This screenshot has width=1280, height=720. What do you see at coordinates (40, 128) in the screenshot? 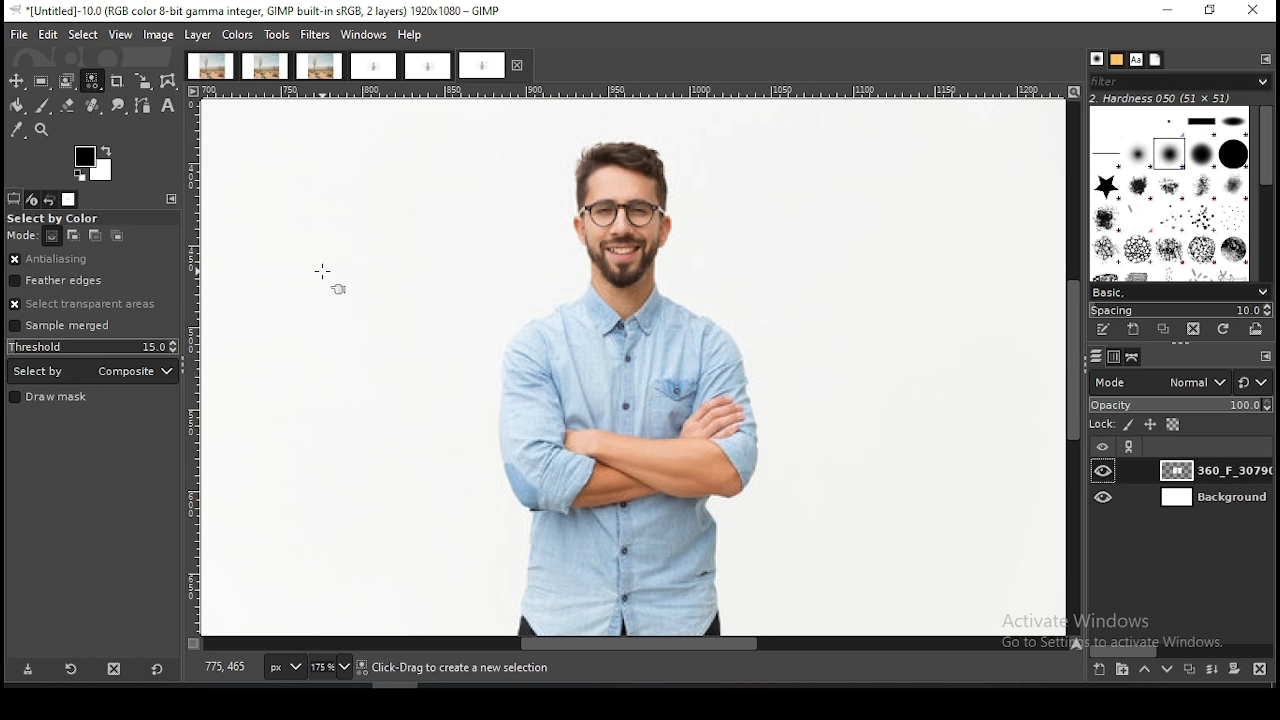
I see `zoom tool` at bounding box center [40, 128].